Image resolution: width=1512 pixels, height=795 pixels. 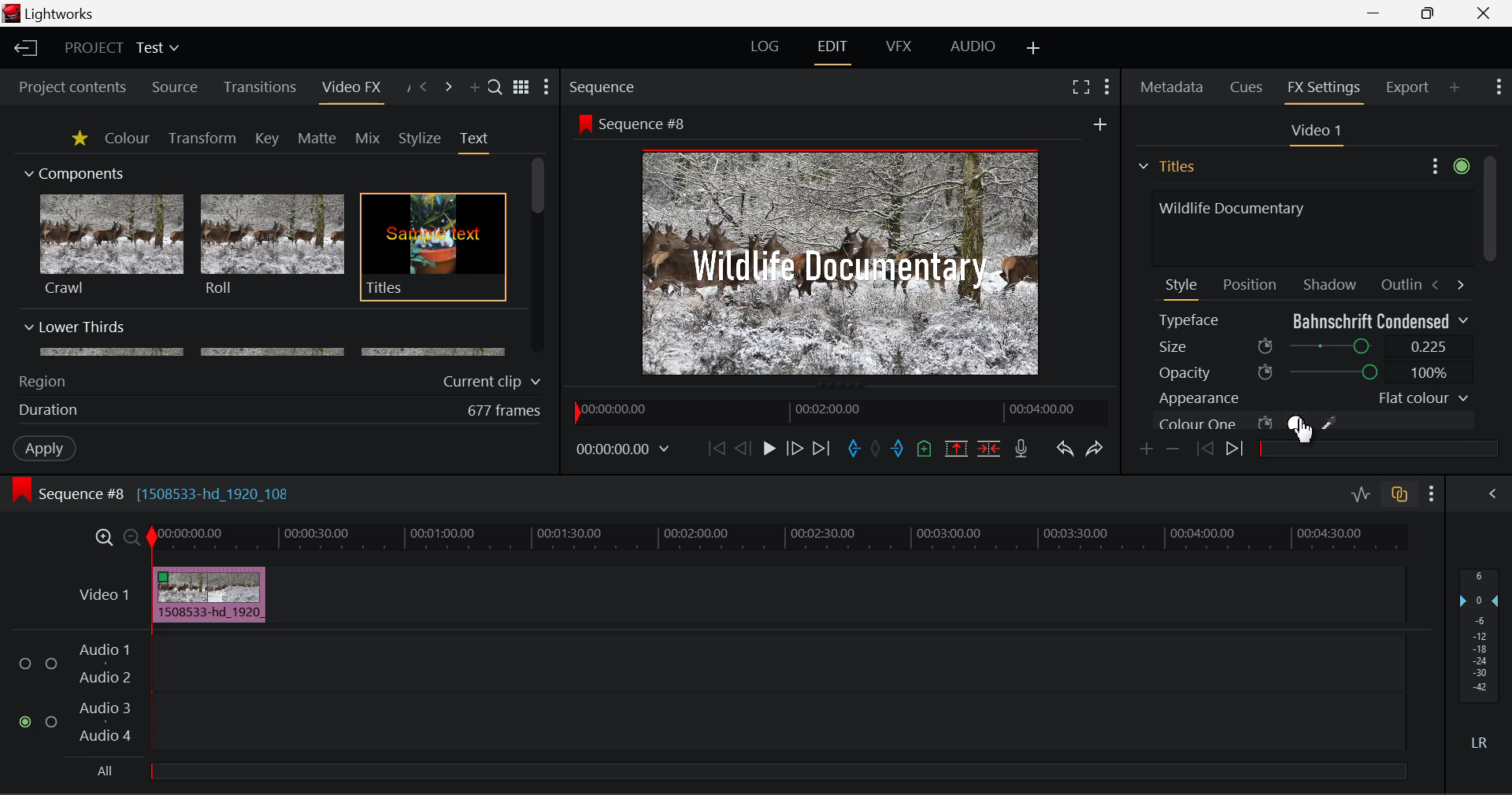 I want to click on Record Voiceover, so click(x=1021, y=452).